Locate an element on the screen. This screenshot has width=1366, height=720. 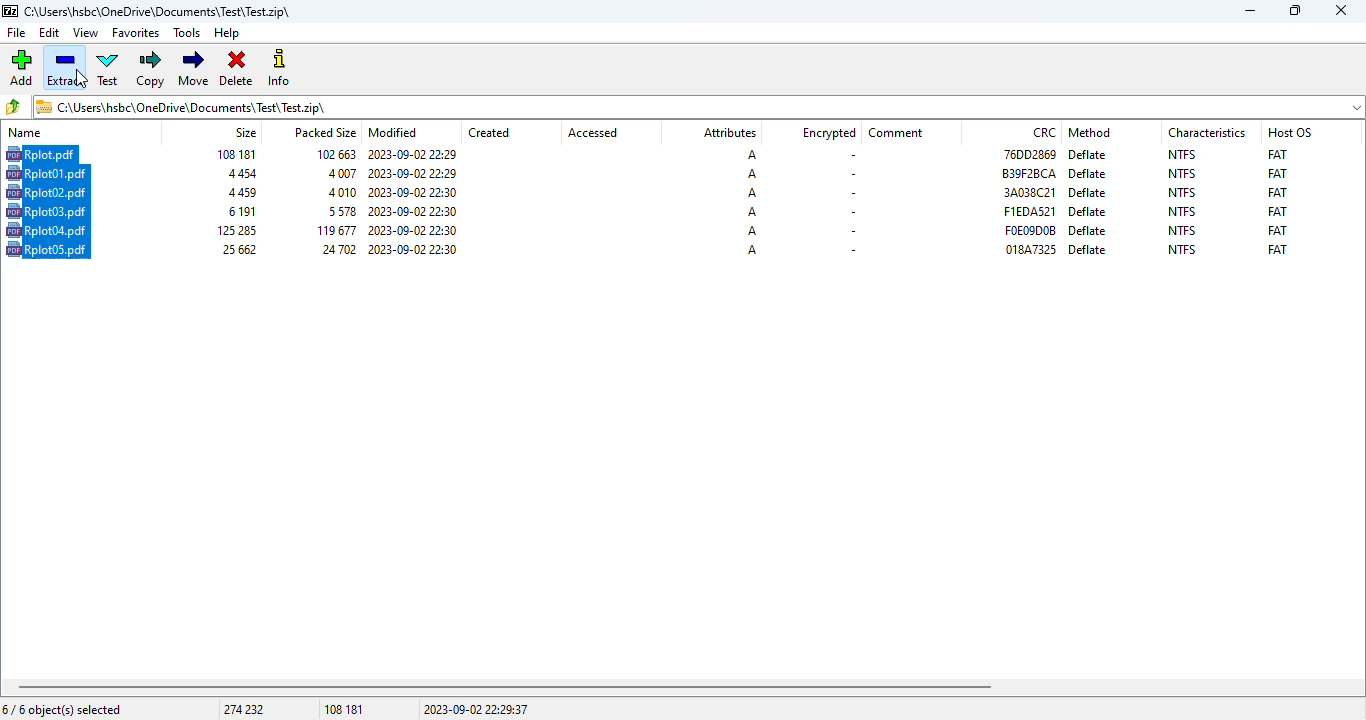
attributes is located at coordinates (728, 133).